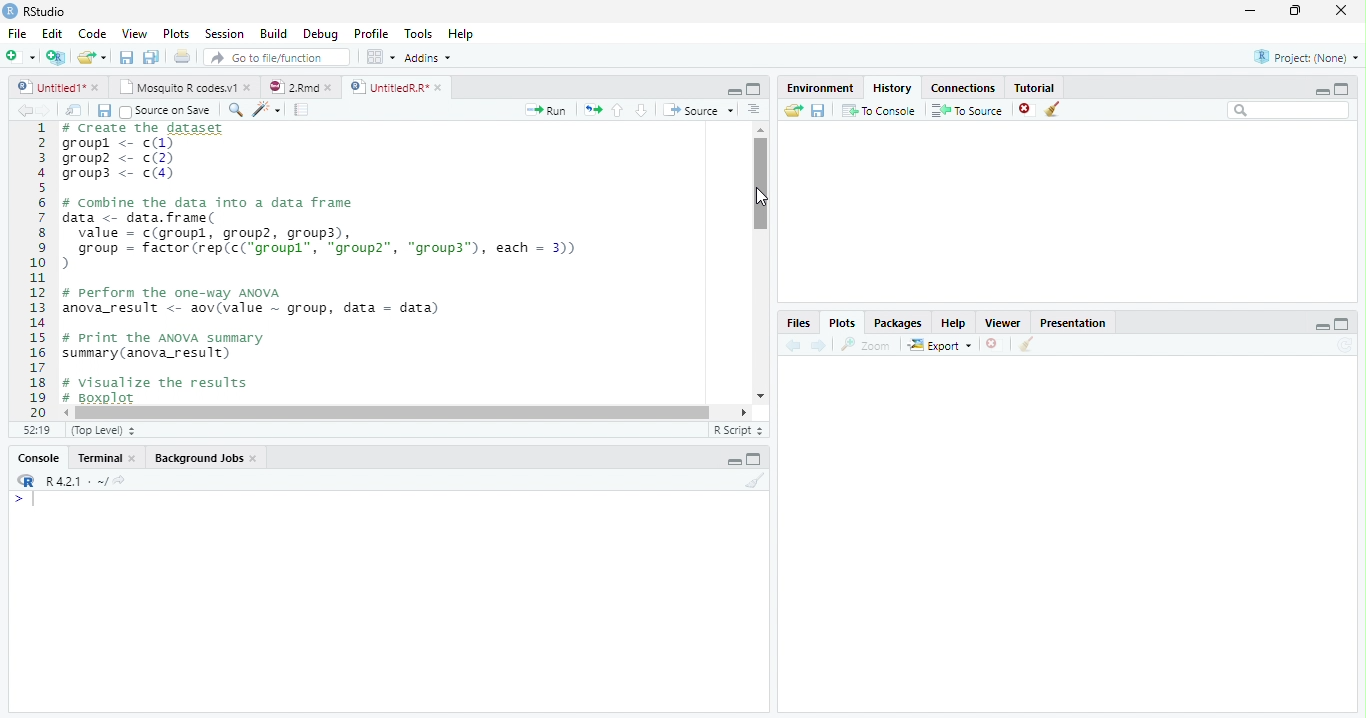  I want to click on History, so click(893, 87).